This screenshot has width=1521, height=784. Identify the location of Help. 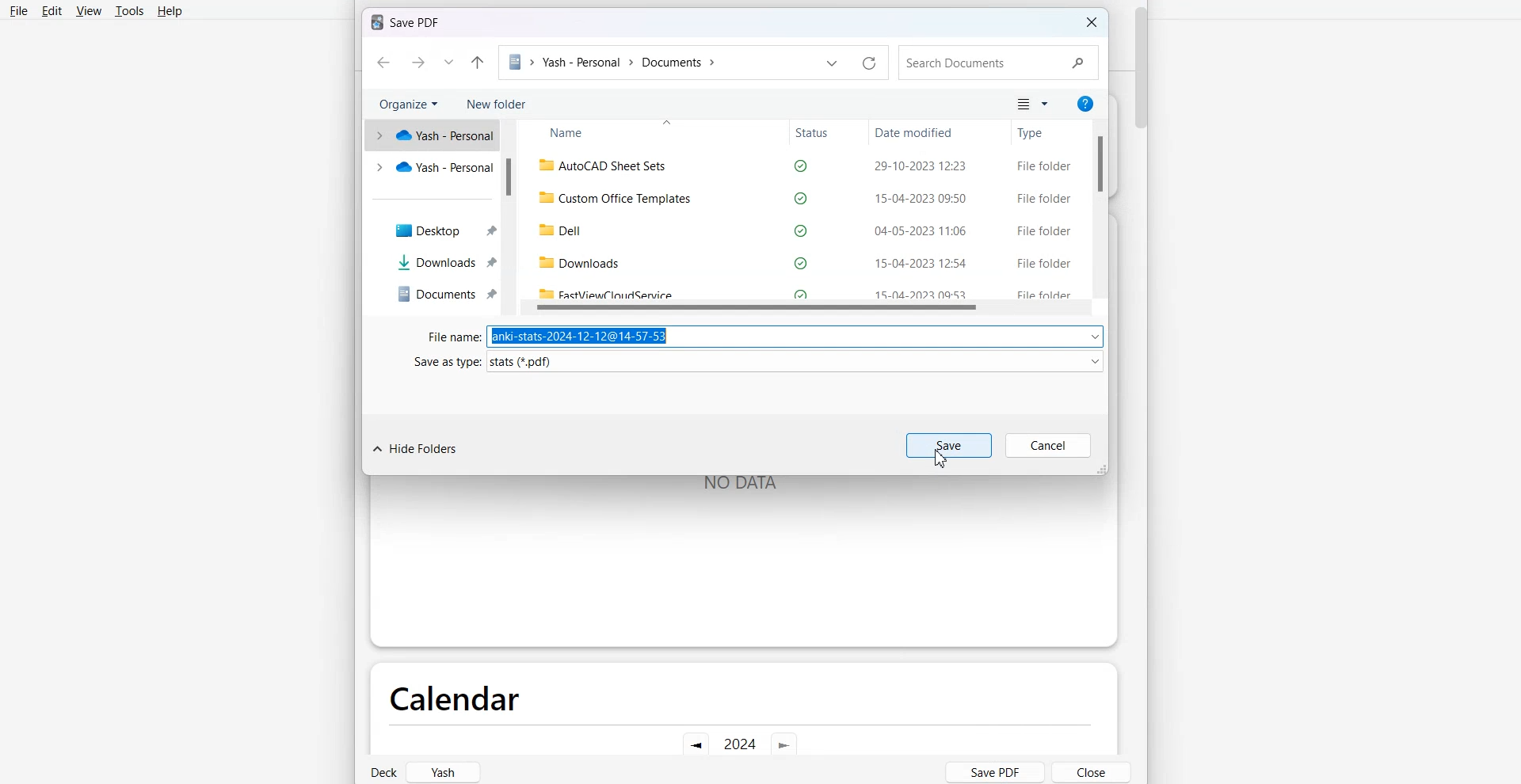
(169, 11).